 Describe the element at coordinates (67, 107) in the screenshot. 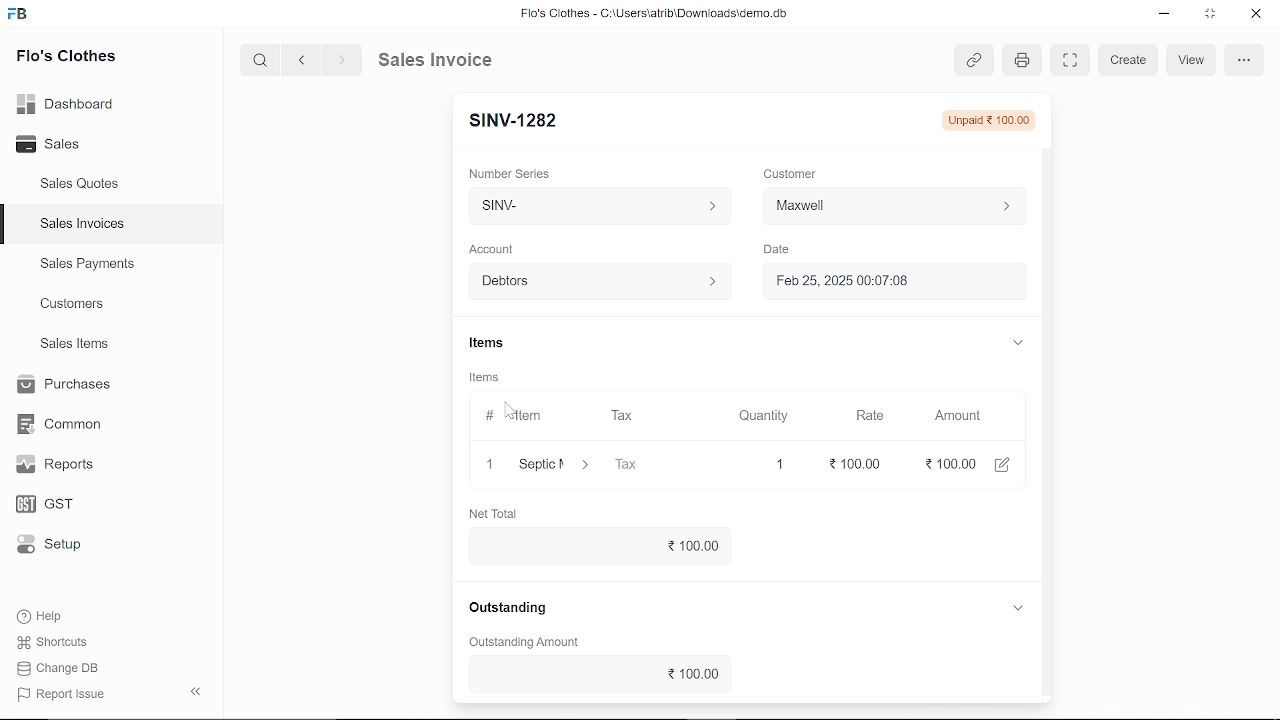

I see `Dashboard` at that location.